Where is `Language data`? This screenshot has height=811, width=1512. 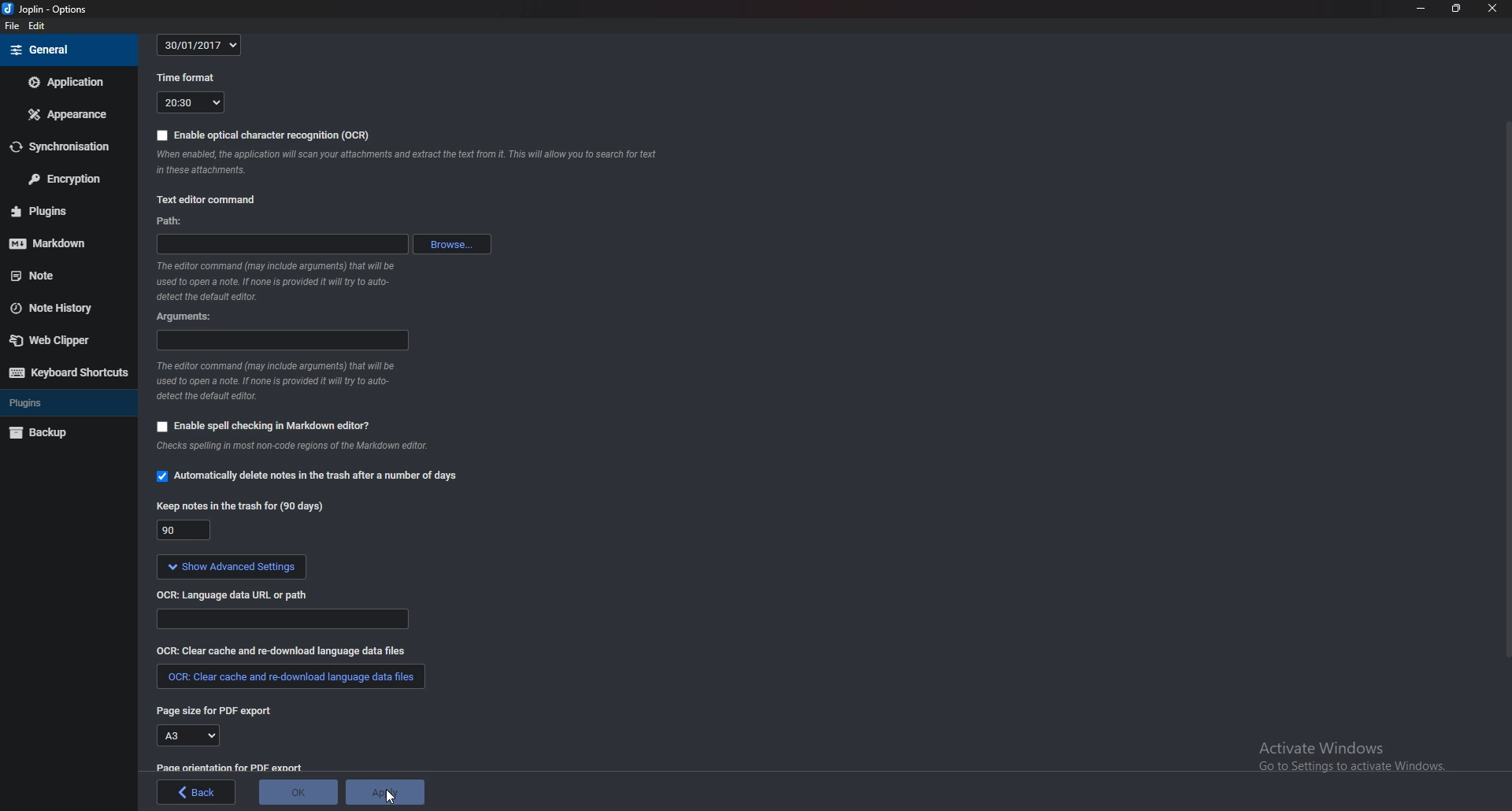 Language data is located at coordinates (284, 620).